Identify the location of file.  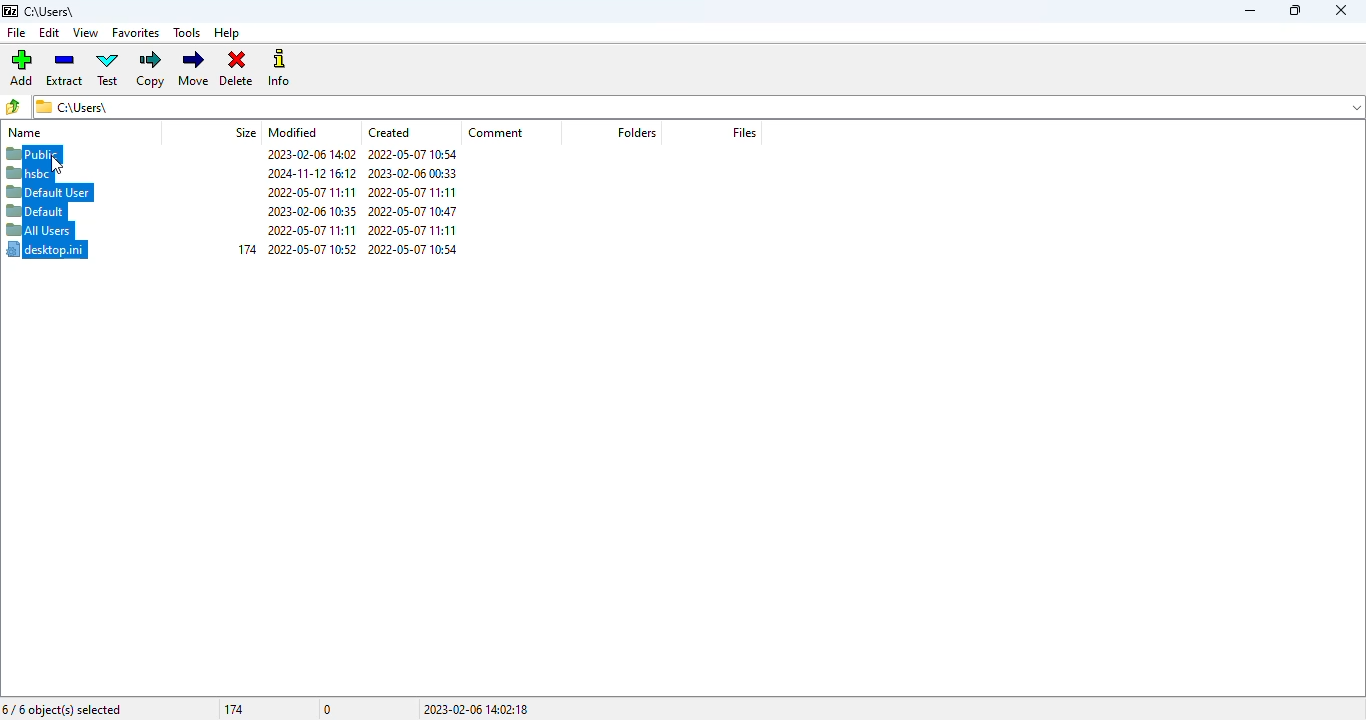
(17, 32).